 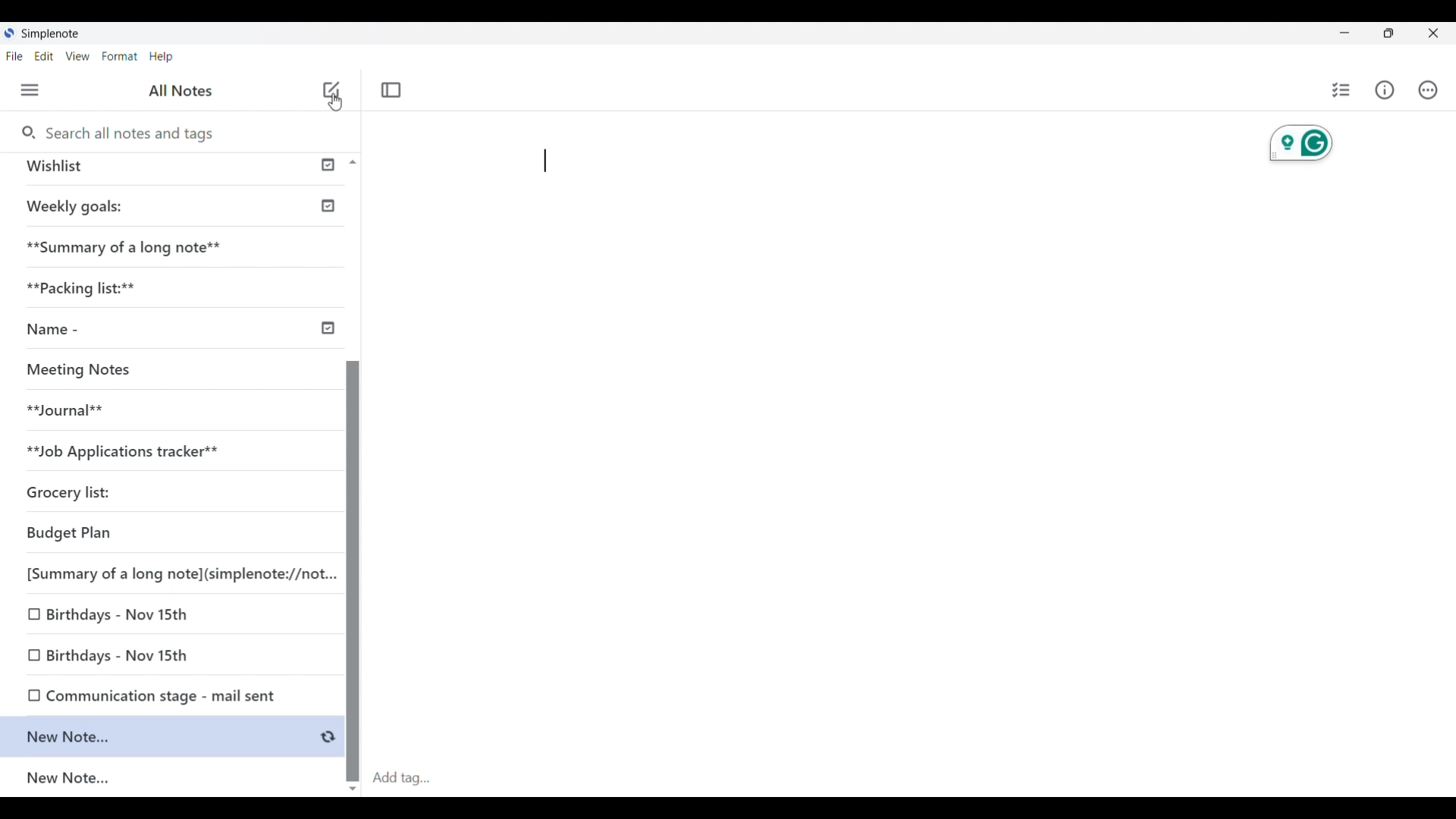 What do you see at coordinates (69, 489) in the screenshot?
I see `Grocery list:` at bounding box center [69, 489].